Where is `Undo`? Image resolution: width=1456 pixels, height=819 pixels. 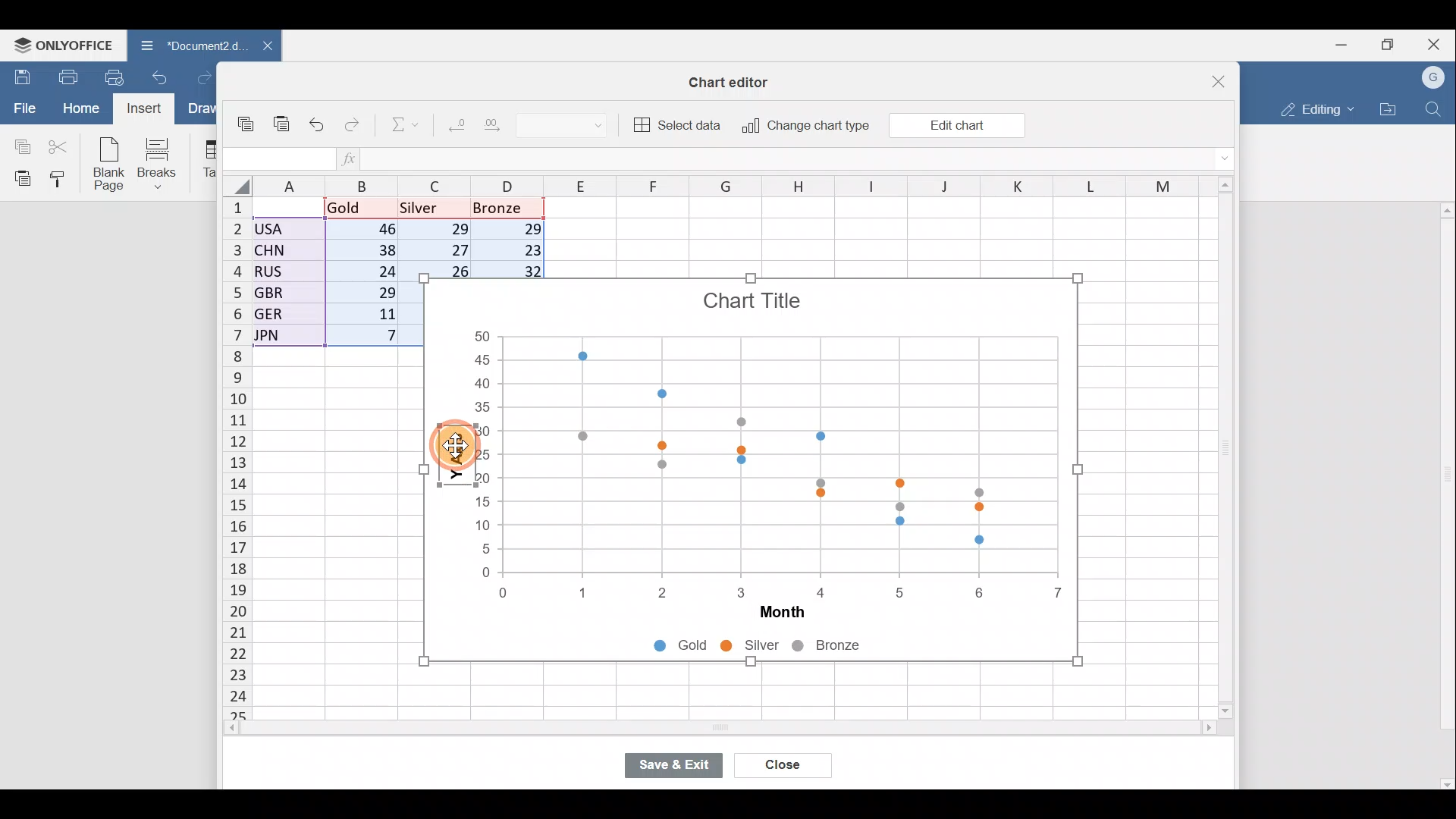
Undo is located at coordinates (318, 121).